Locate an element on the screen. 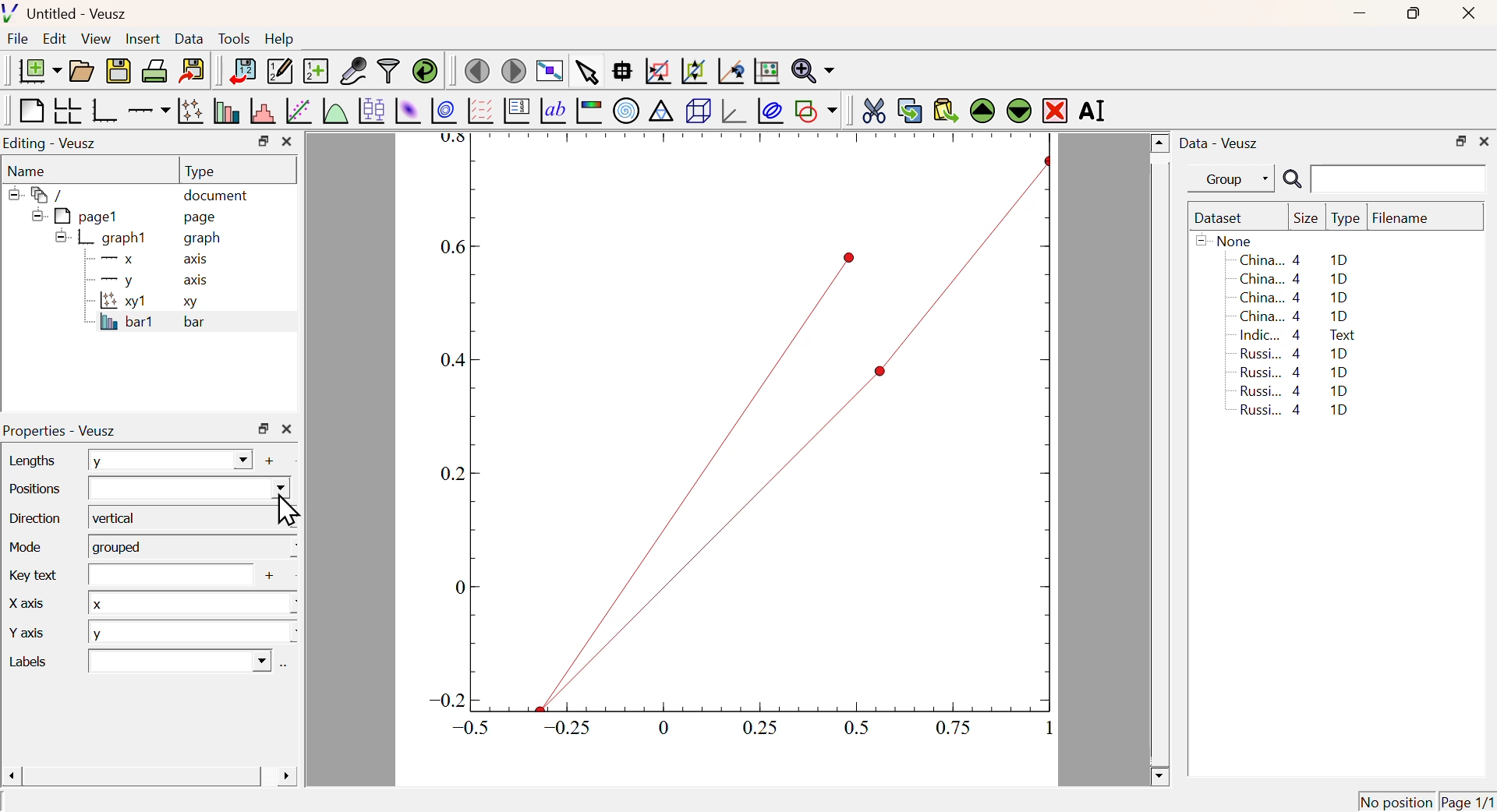  Graph is located at coordinates (737, 441).